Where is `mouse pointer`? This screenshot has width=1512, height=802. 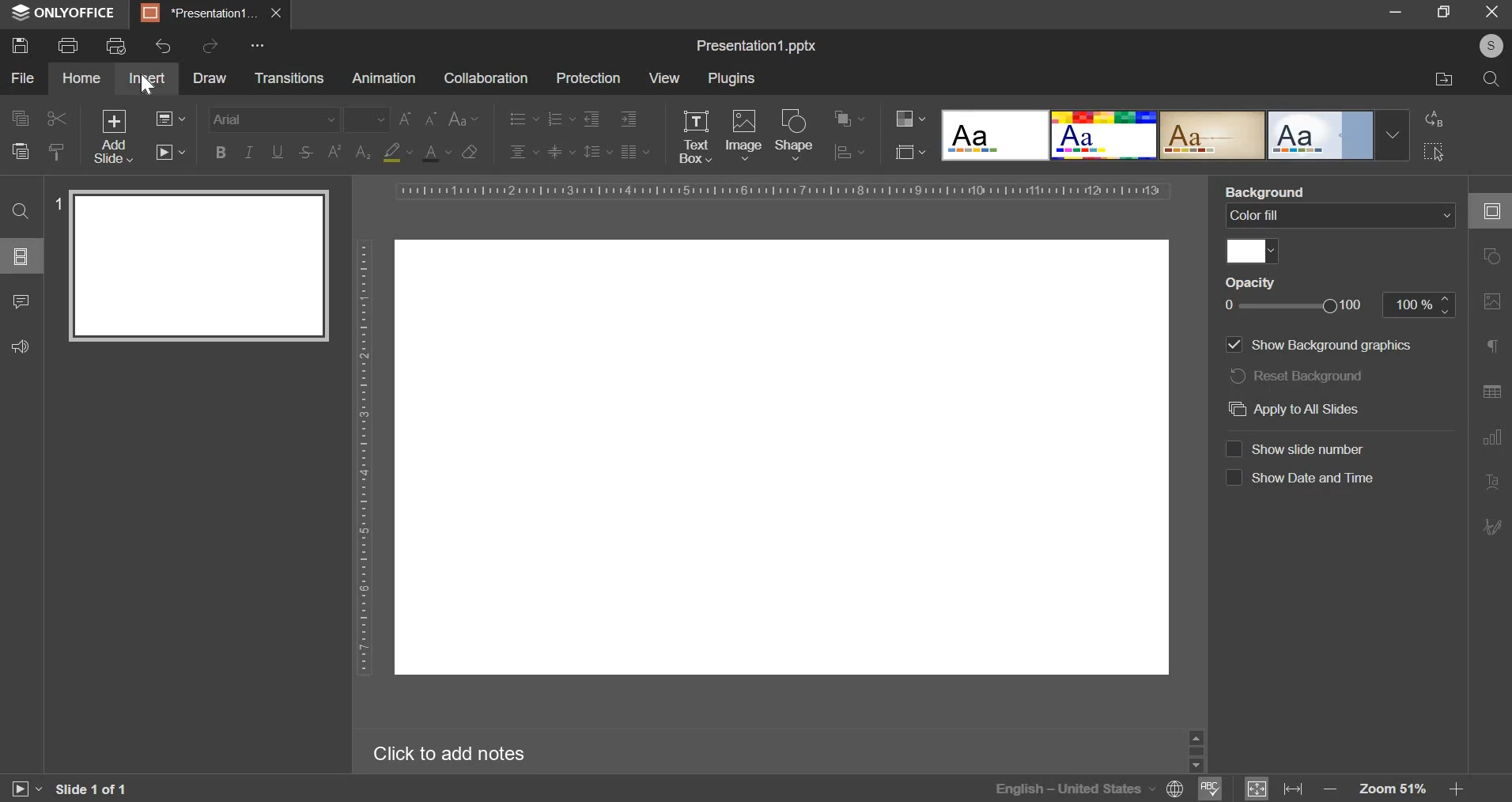
mouse pointer is located at coordinates (153, 90).